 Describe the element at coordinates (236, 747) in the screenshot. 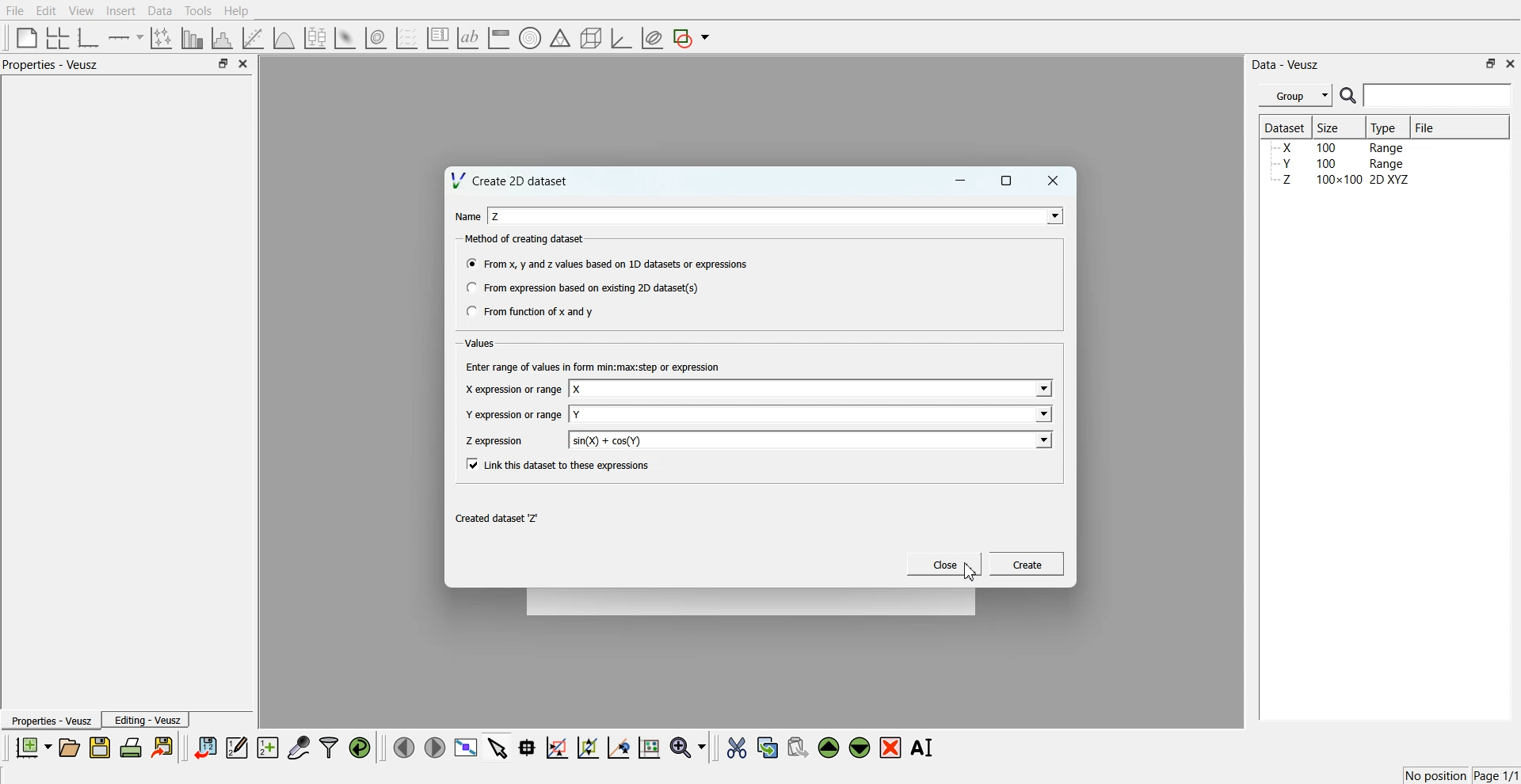

I see `Edit and enter new dataset` at that location.